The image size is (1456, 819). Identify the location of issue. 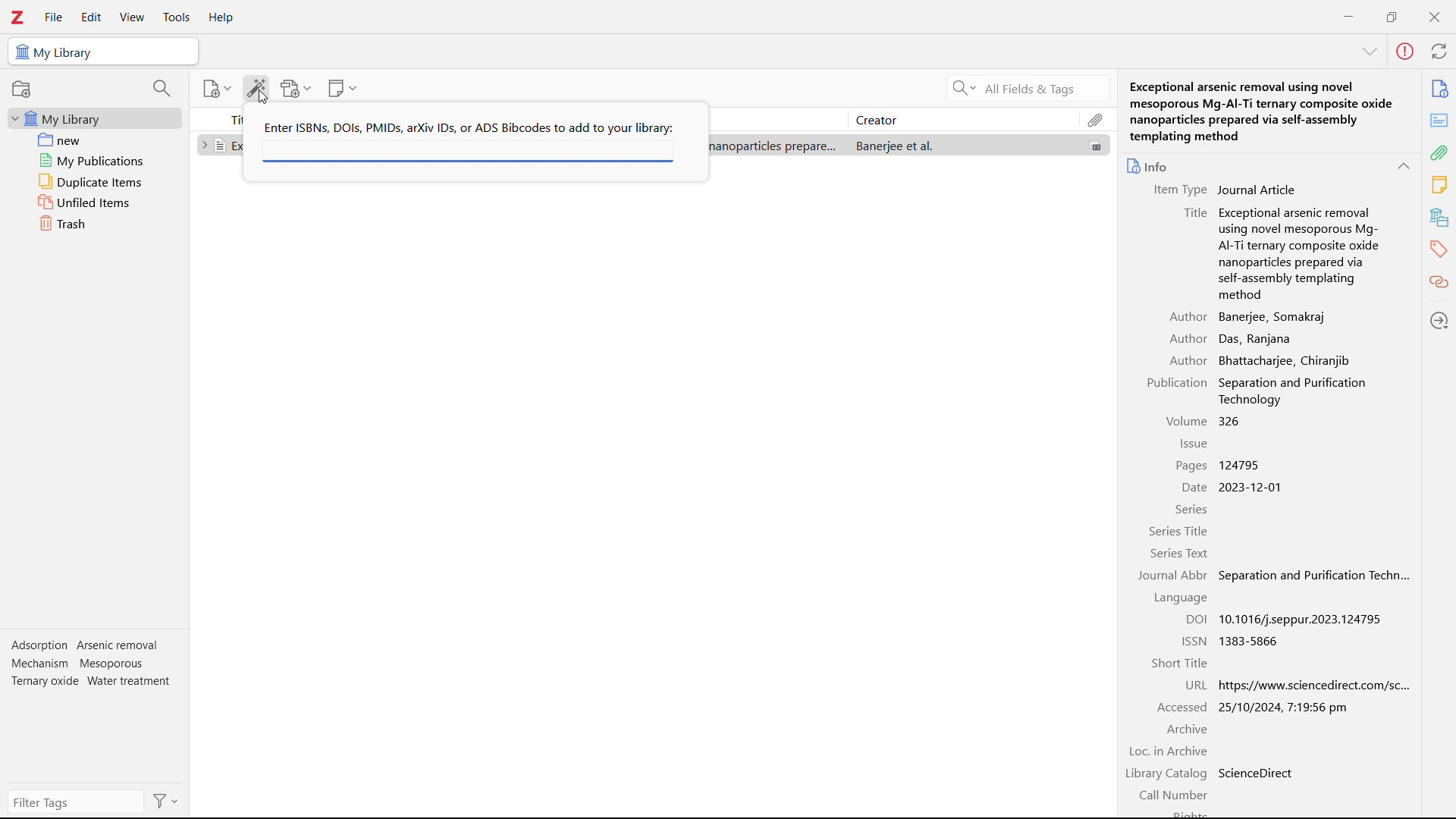
(1192, 444).